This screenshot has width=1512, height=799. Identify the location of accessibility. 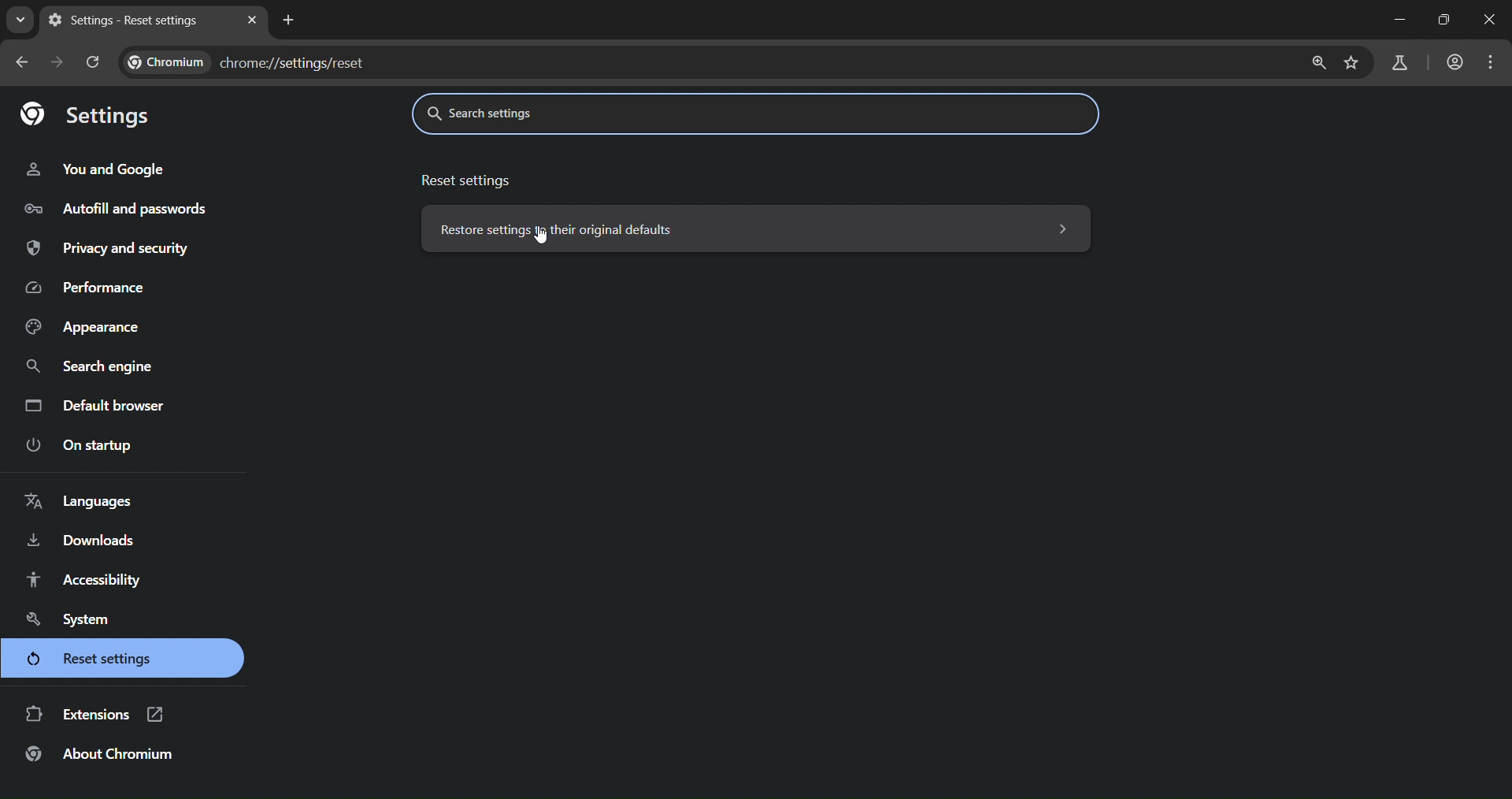
(84, 579).